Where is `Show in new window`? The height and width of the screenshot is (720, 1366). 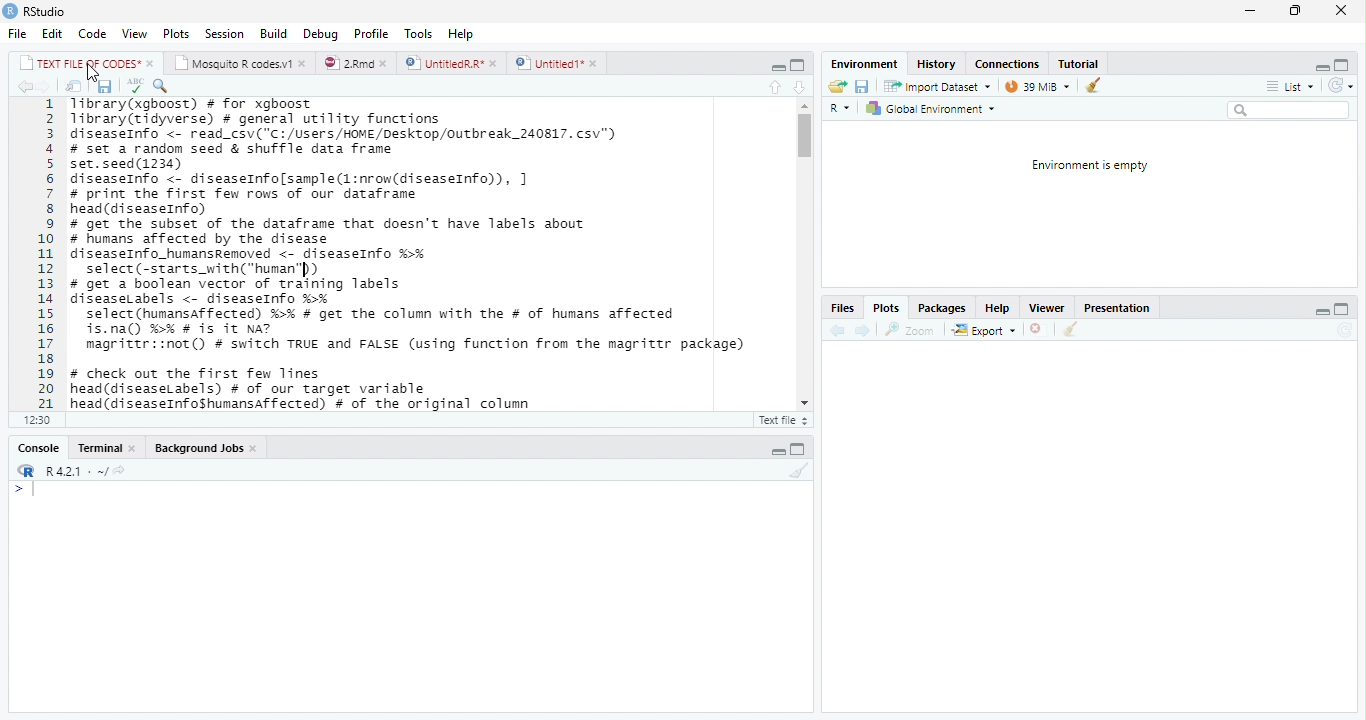
Show in new window is located at coordinates (70, 86).